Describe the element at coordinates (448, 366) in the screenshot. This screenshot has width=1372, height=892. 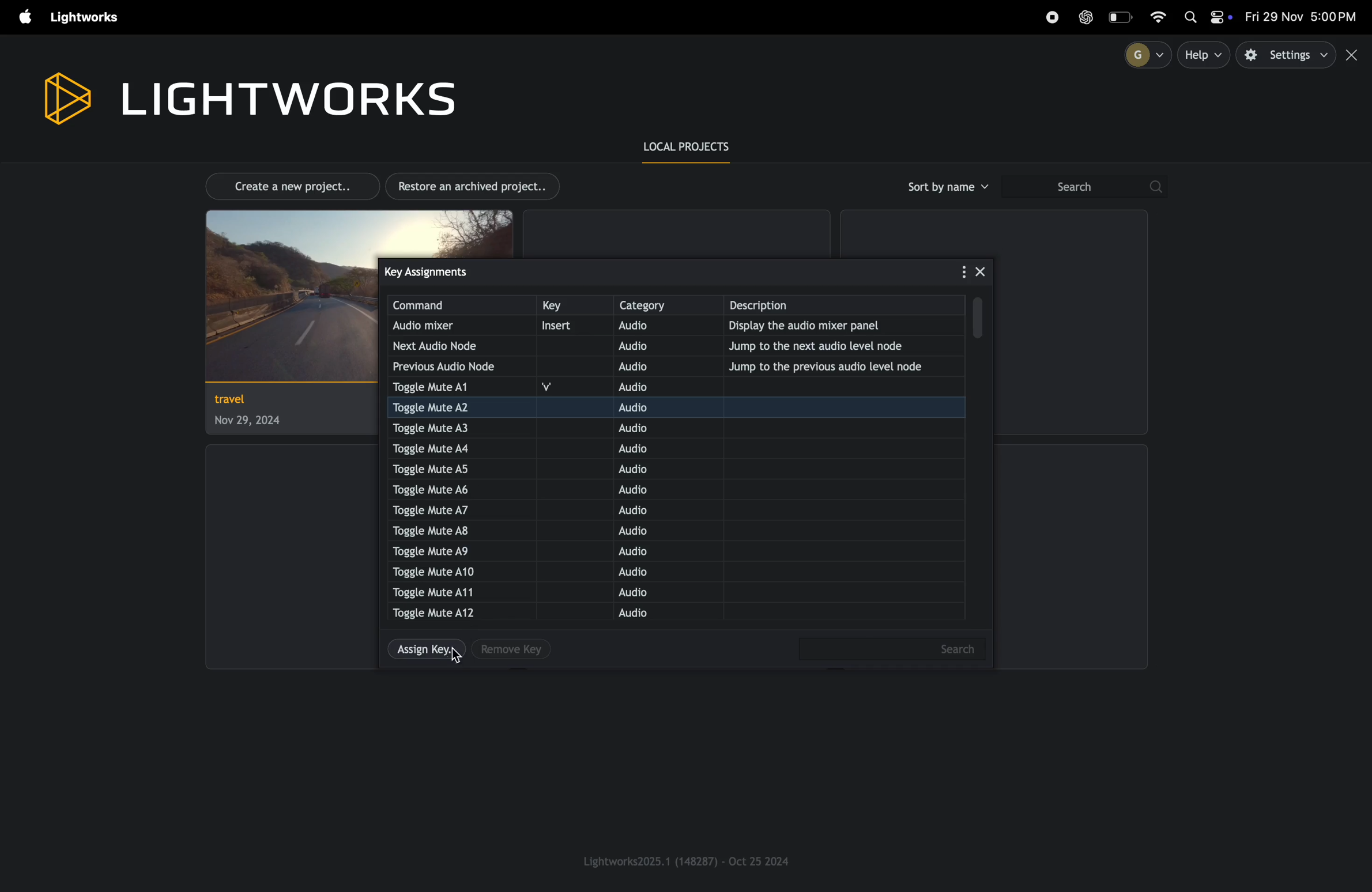
I see `previous audio node` at that location.